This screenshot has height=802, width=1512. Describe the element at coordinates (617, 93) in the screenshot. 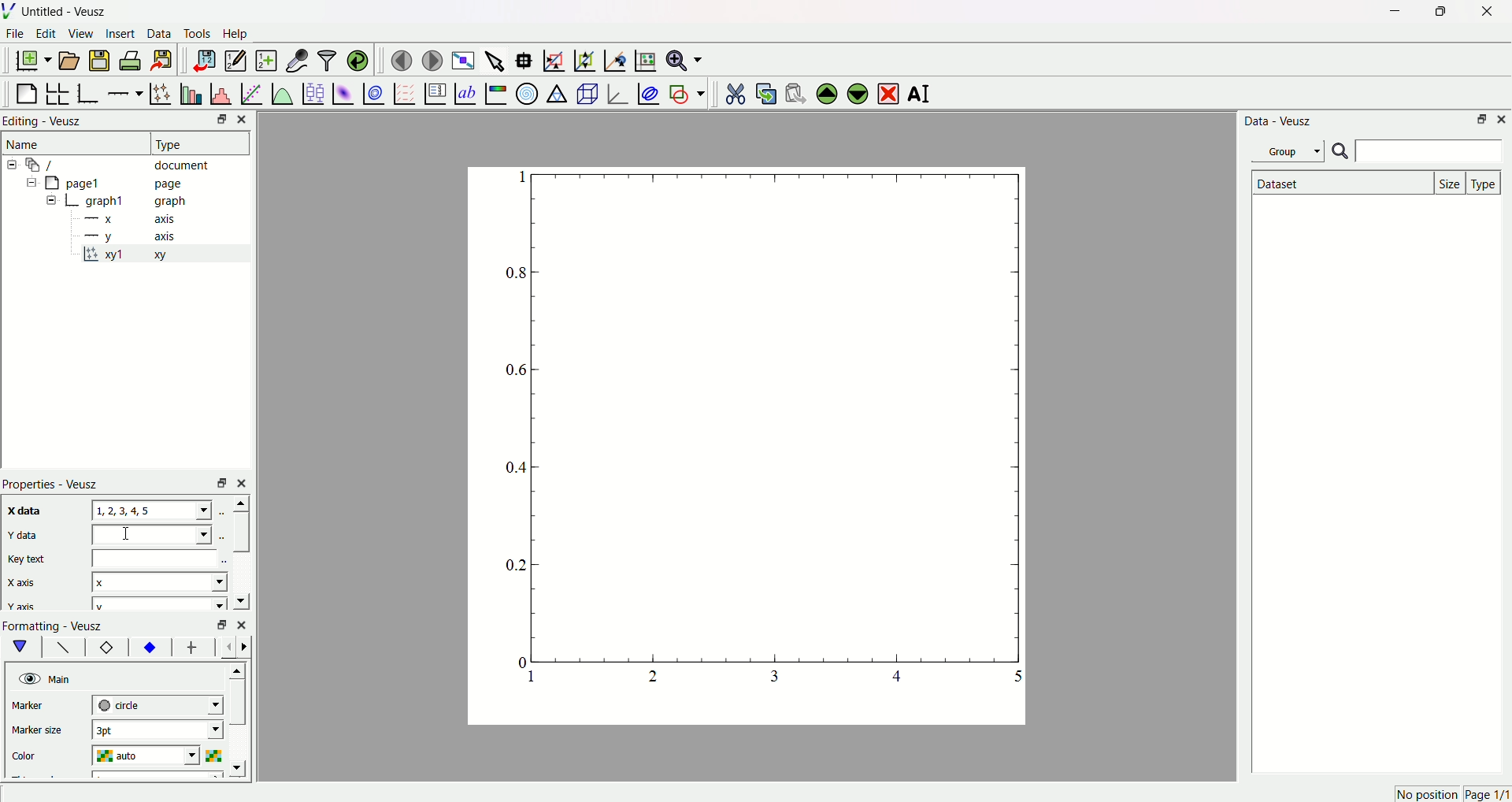

I see `3d graphs` at that location.